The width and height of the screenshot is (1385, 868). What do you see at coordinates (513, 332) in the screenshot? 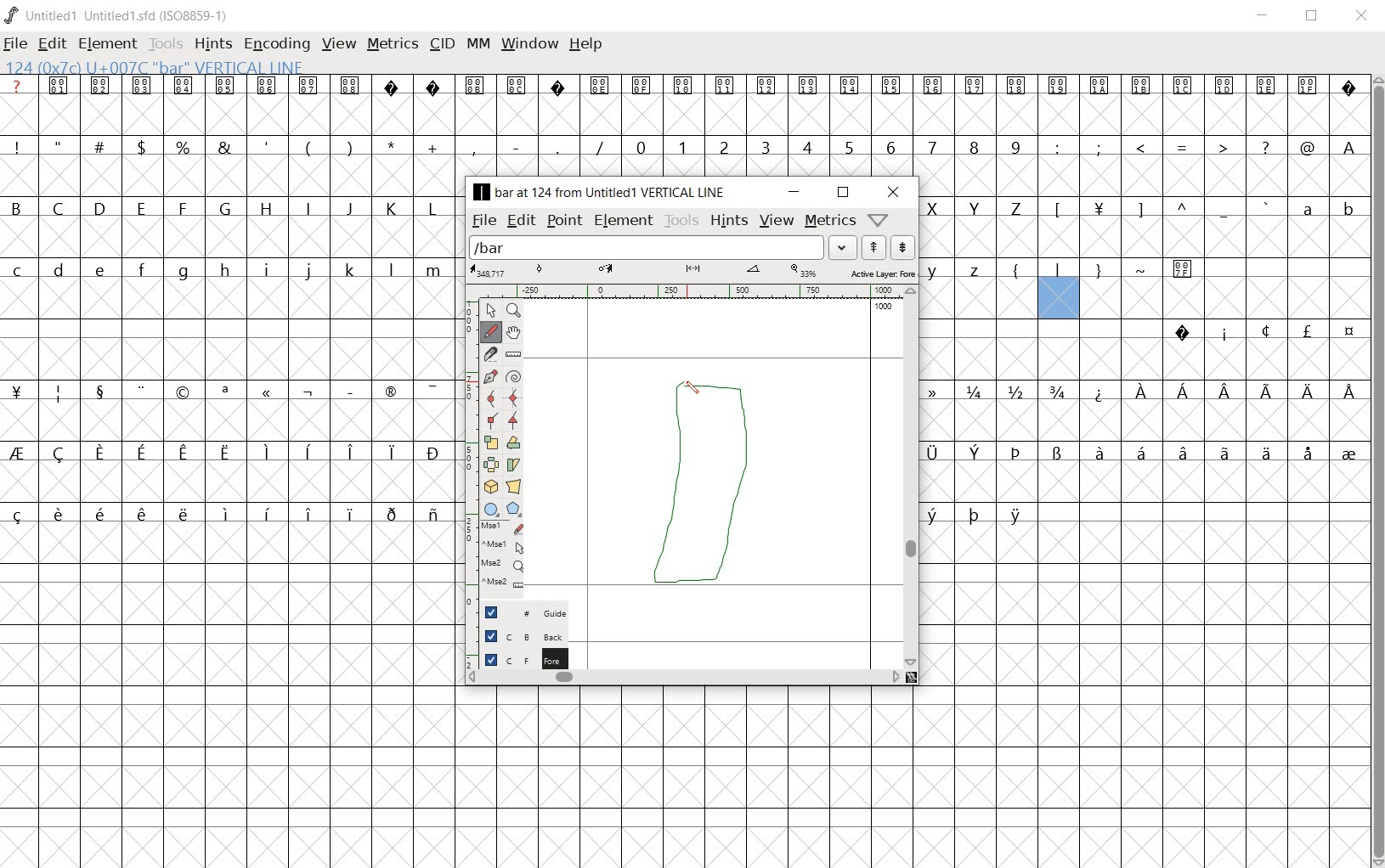
I see `scroll by hand` at bounding box center [513, 332].